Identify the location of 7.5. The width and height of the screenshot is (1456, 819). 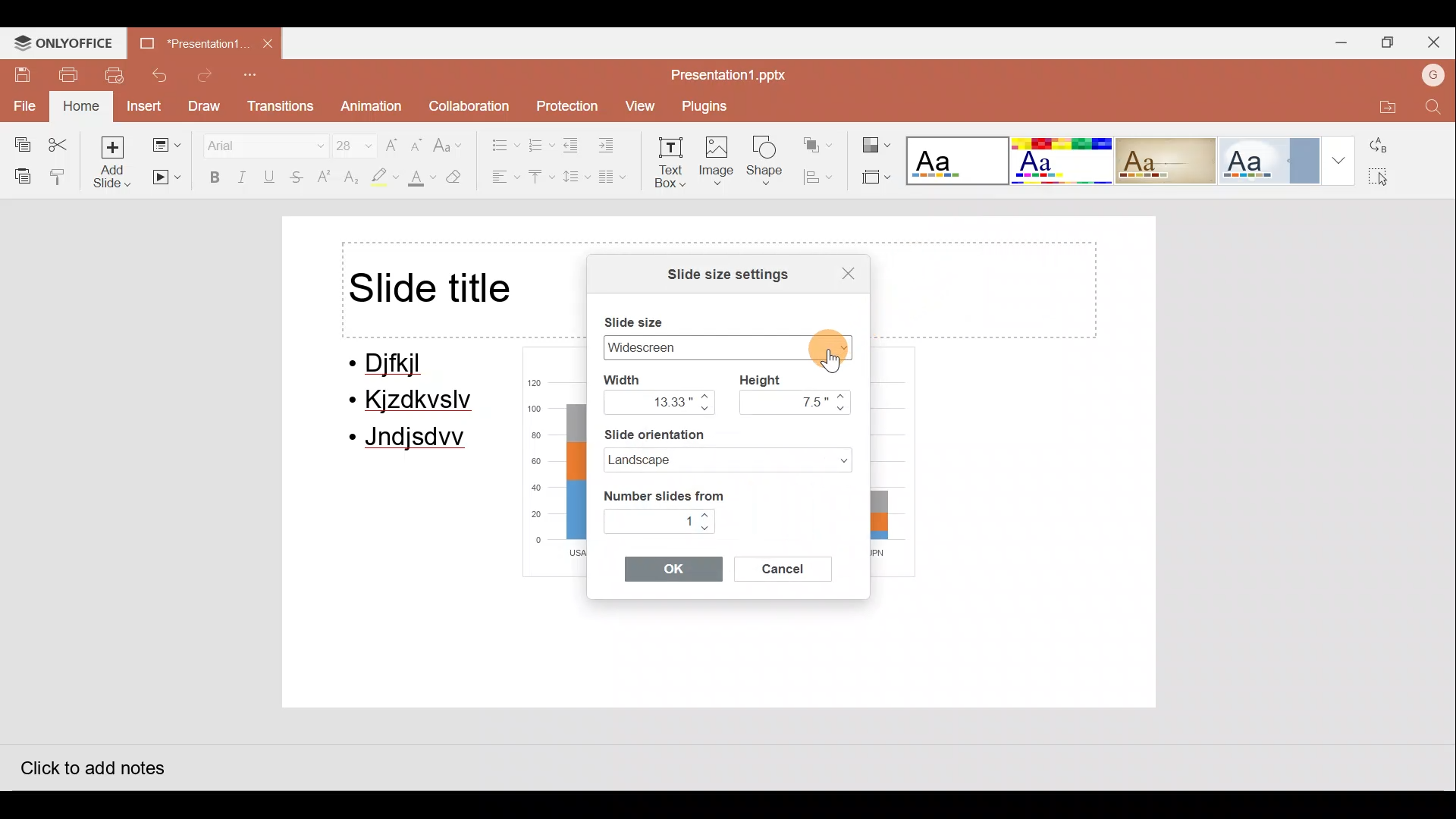
(786, 401).